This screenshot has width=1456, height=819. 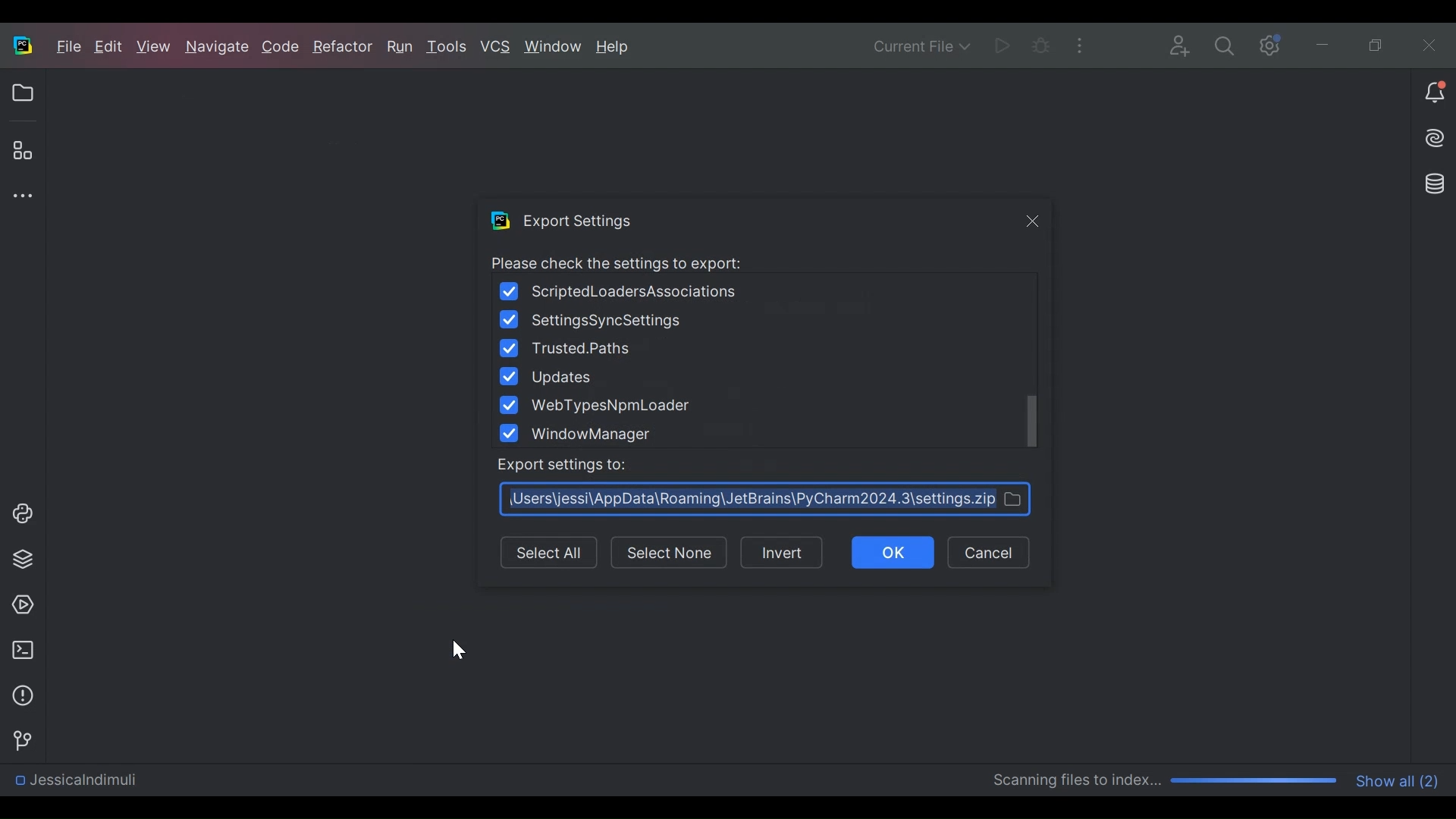 I want to click on (un)check Updates, so click(x=548, y=375).